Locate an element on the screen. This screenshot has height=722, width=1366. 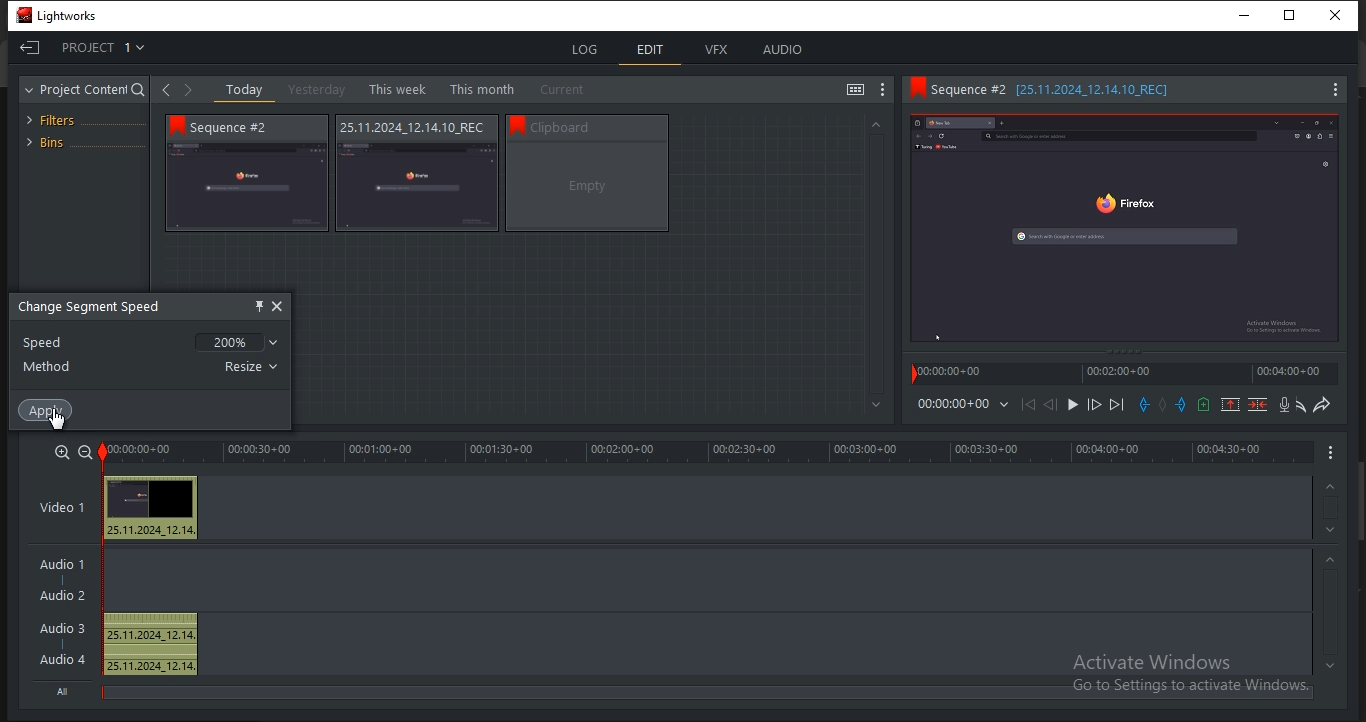
timeline is located at coordinates (708, 453).